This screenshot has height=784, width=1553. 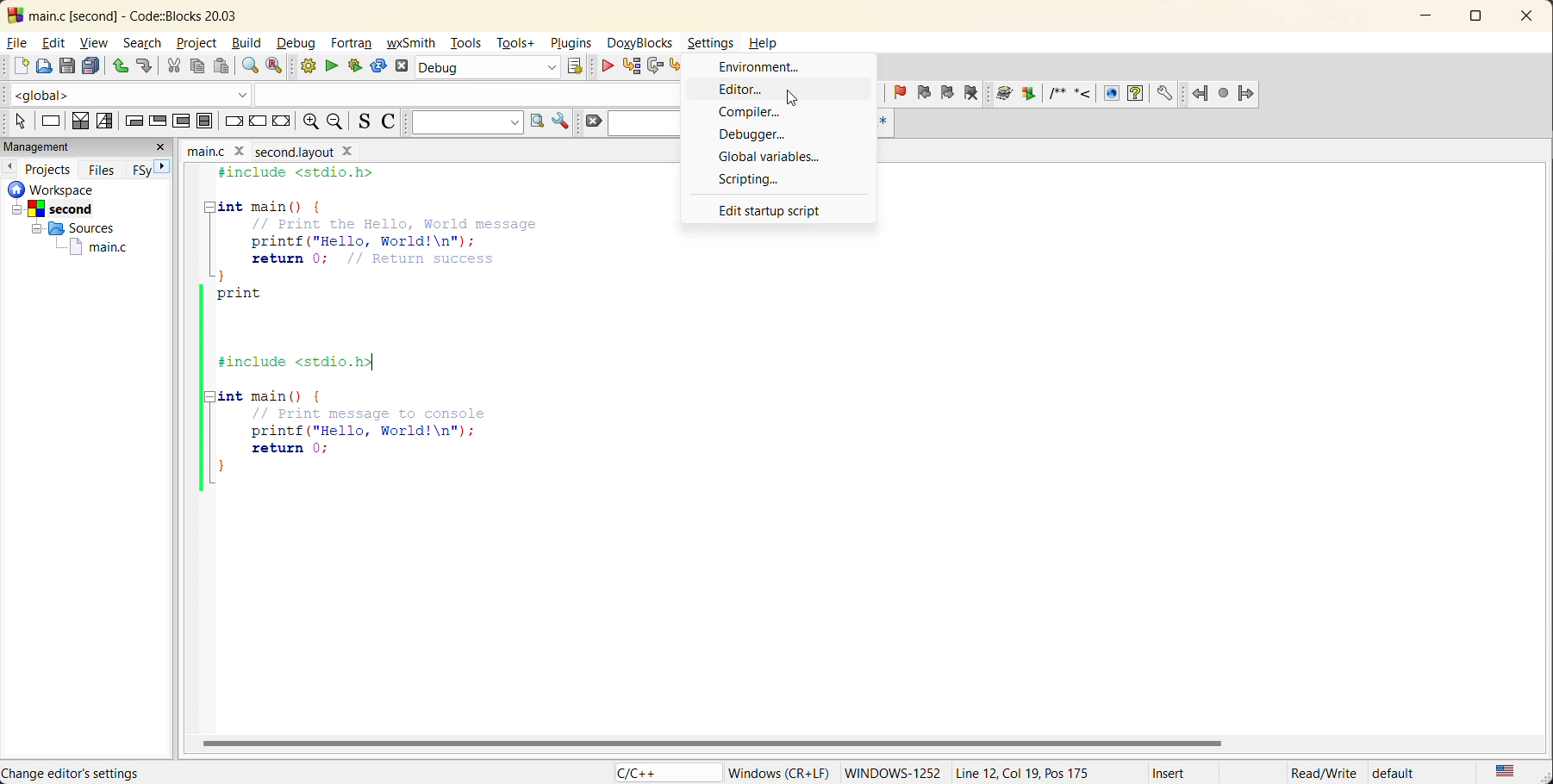 I want to click on build and run, so click(x=352, y=66).